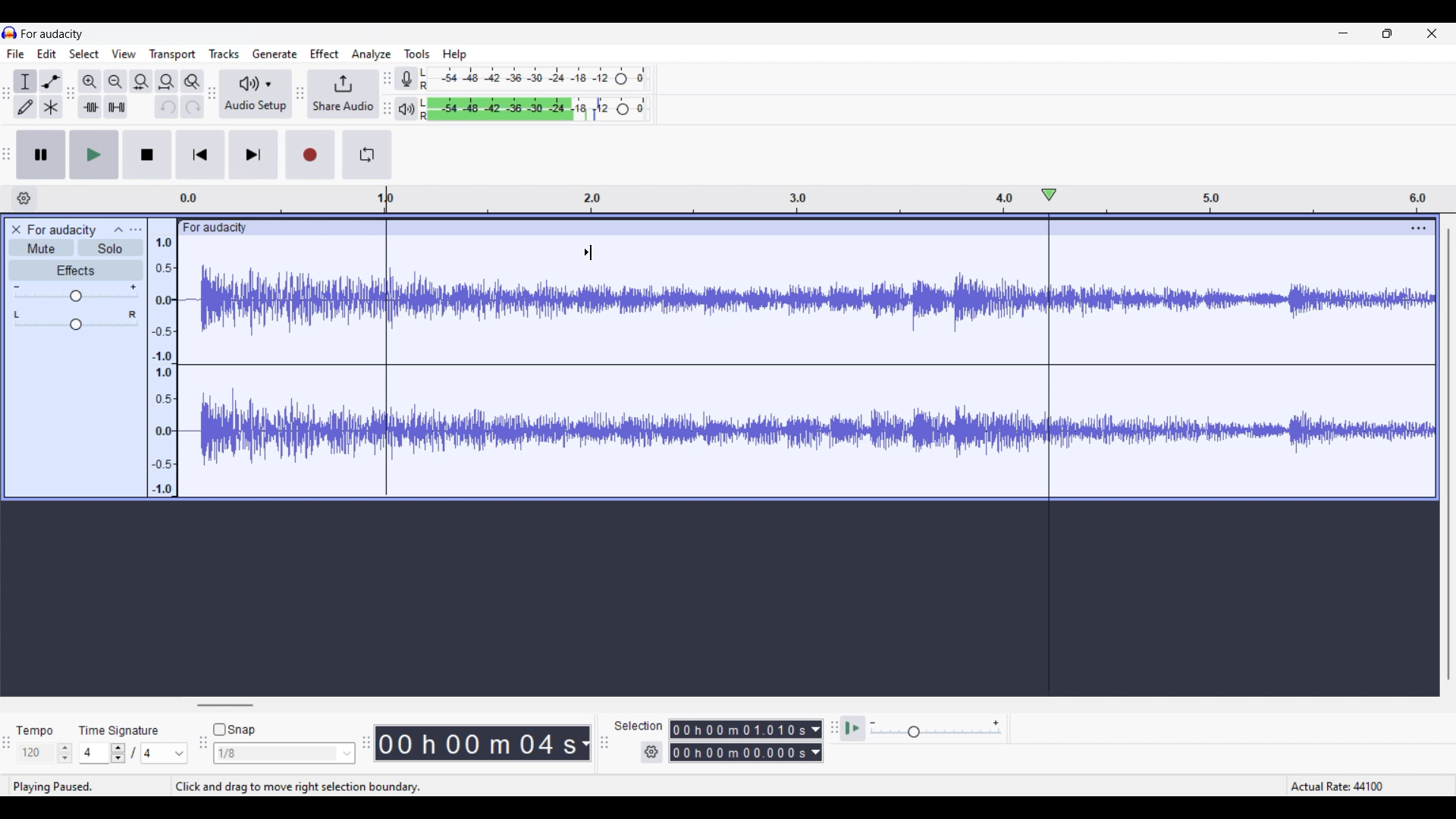 The image size is (1456, 819). Describe the element at coordinates (224, 53) in the screenshot. I see `Tracks menu` at that location.